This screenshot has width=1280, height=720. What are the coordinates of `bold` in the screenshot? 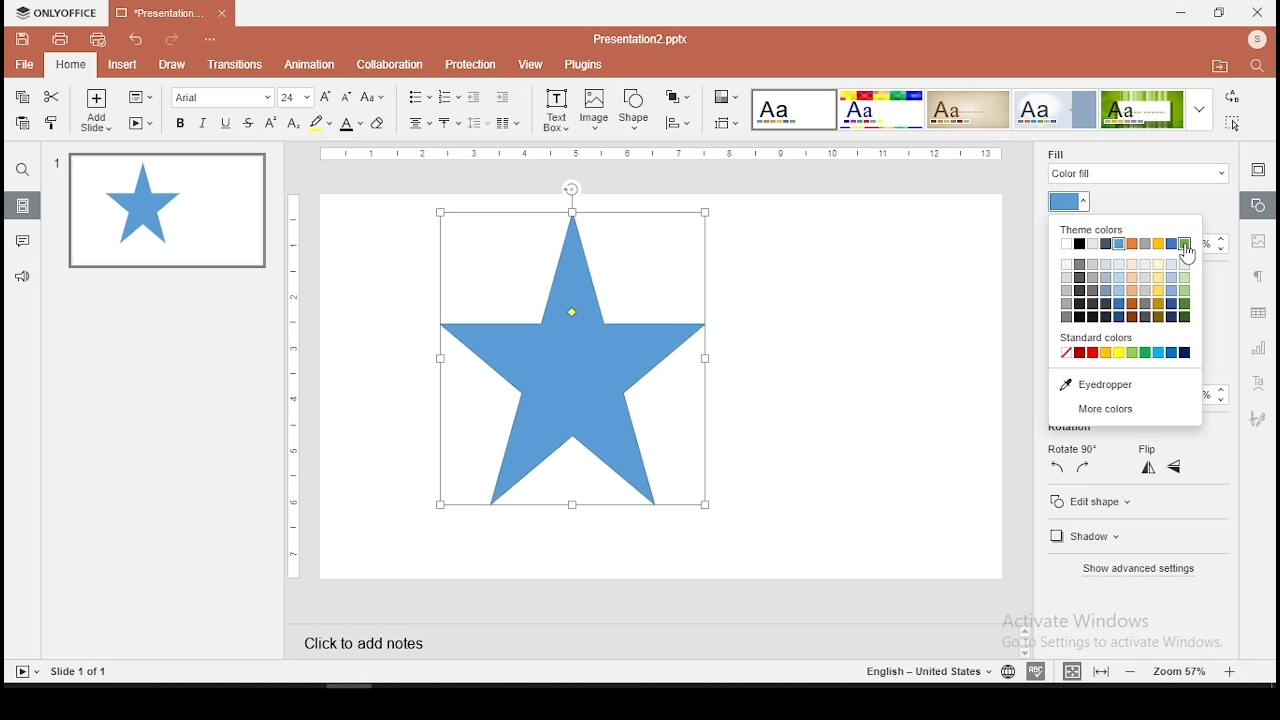 It's located at (180, 123).